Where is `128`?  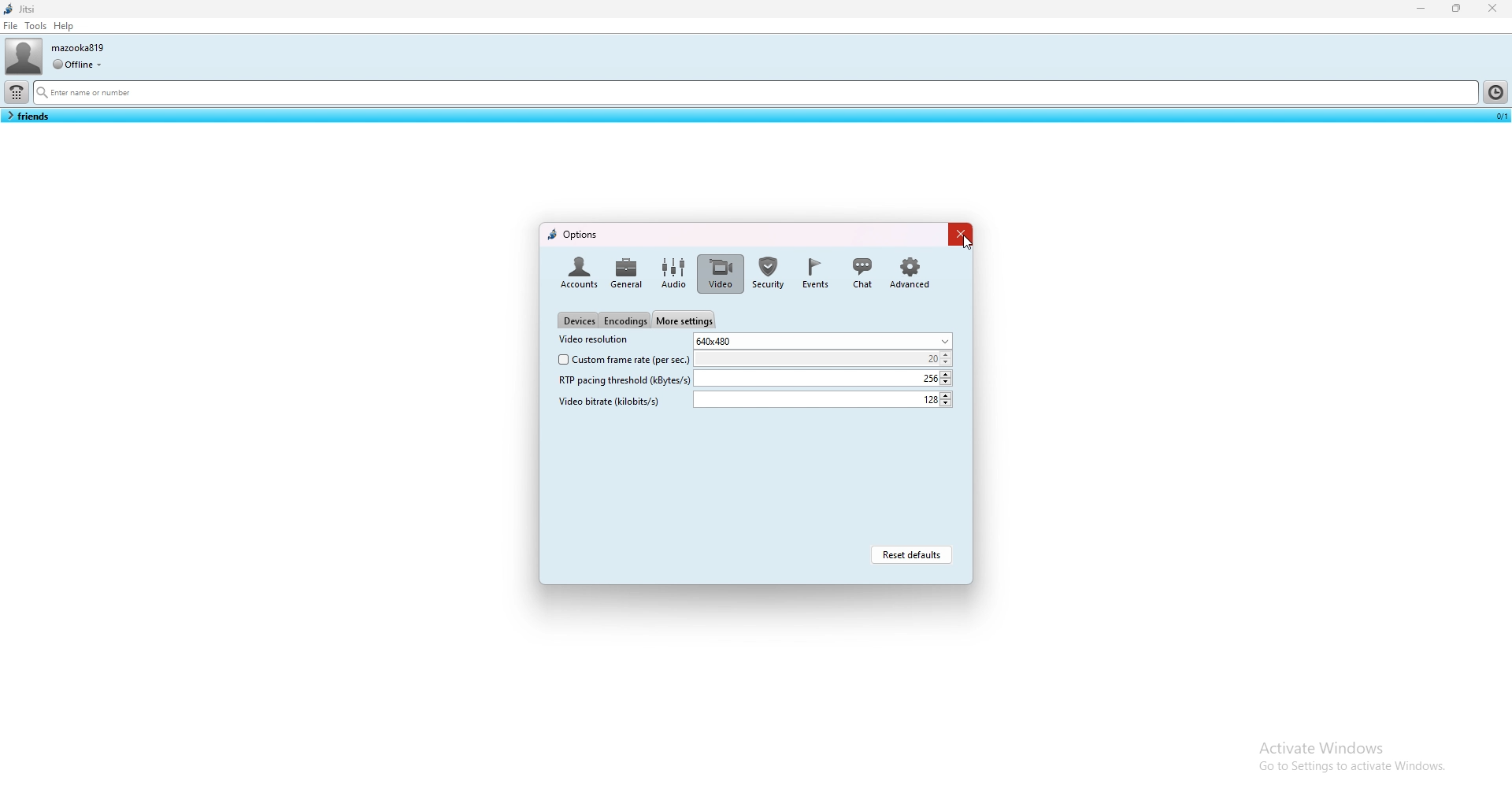 128 is located at coordinates (823, 399).